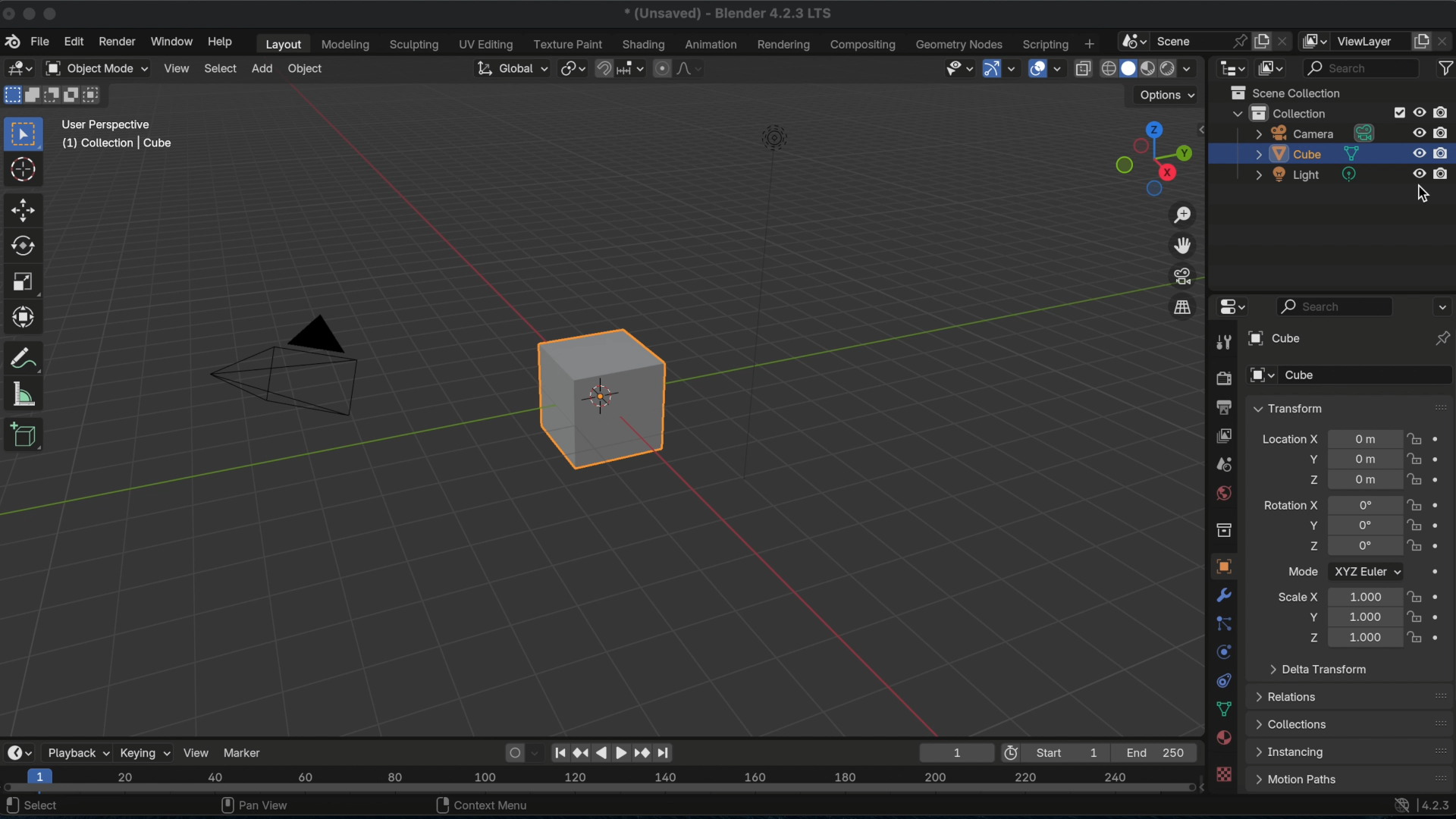 This screenshot has width=1456, height=819. Describe the element at coordinates (1310, 525) in the screenshot. I see `rotation Y` at that location.